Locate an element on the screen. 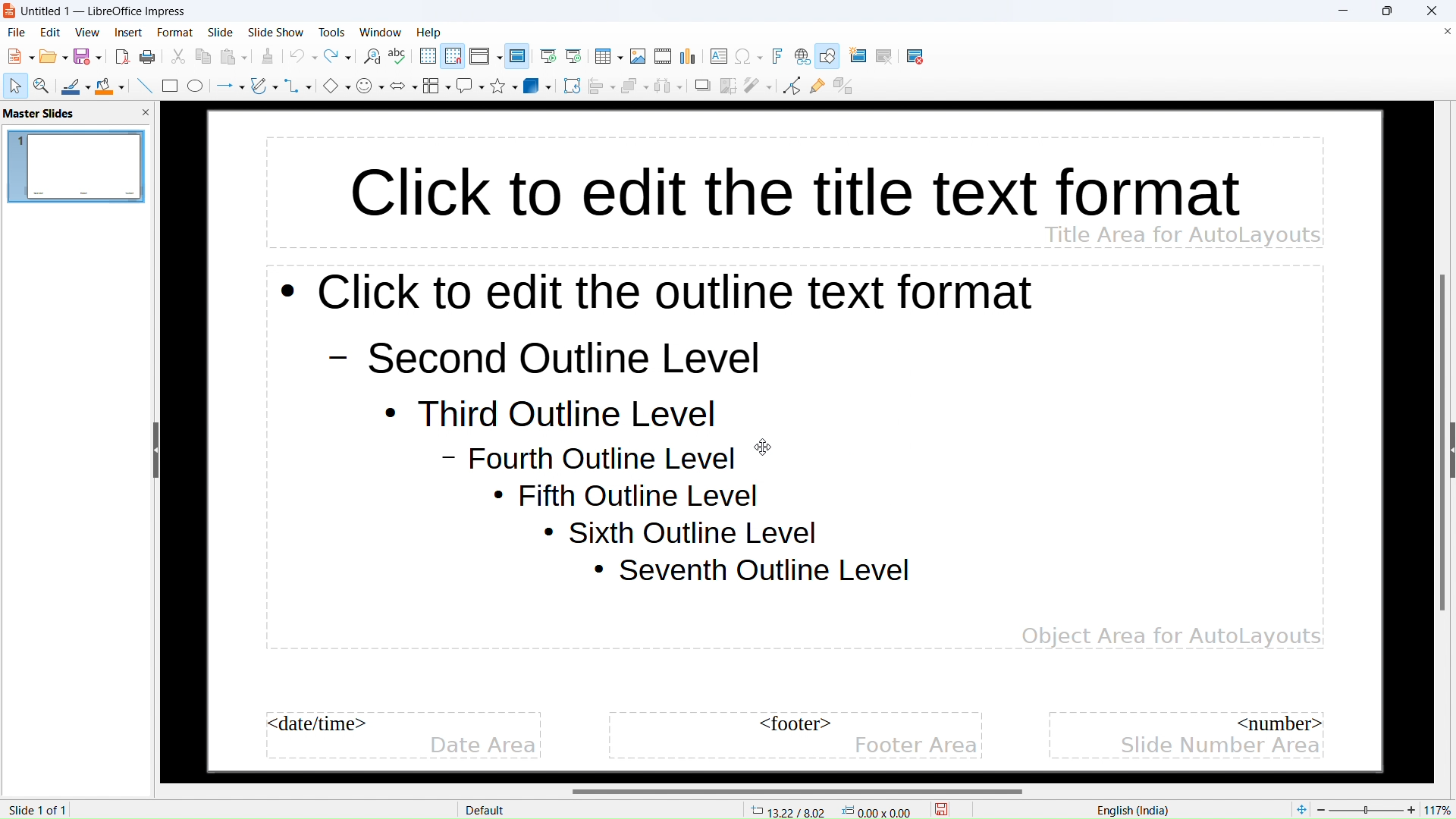 The image size is (1456, 819). curves and polygons is located at coordinates (265, 86).